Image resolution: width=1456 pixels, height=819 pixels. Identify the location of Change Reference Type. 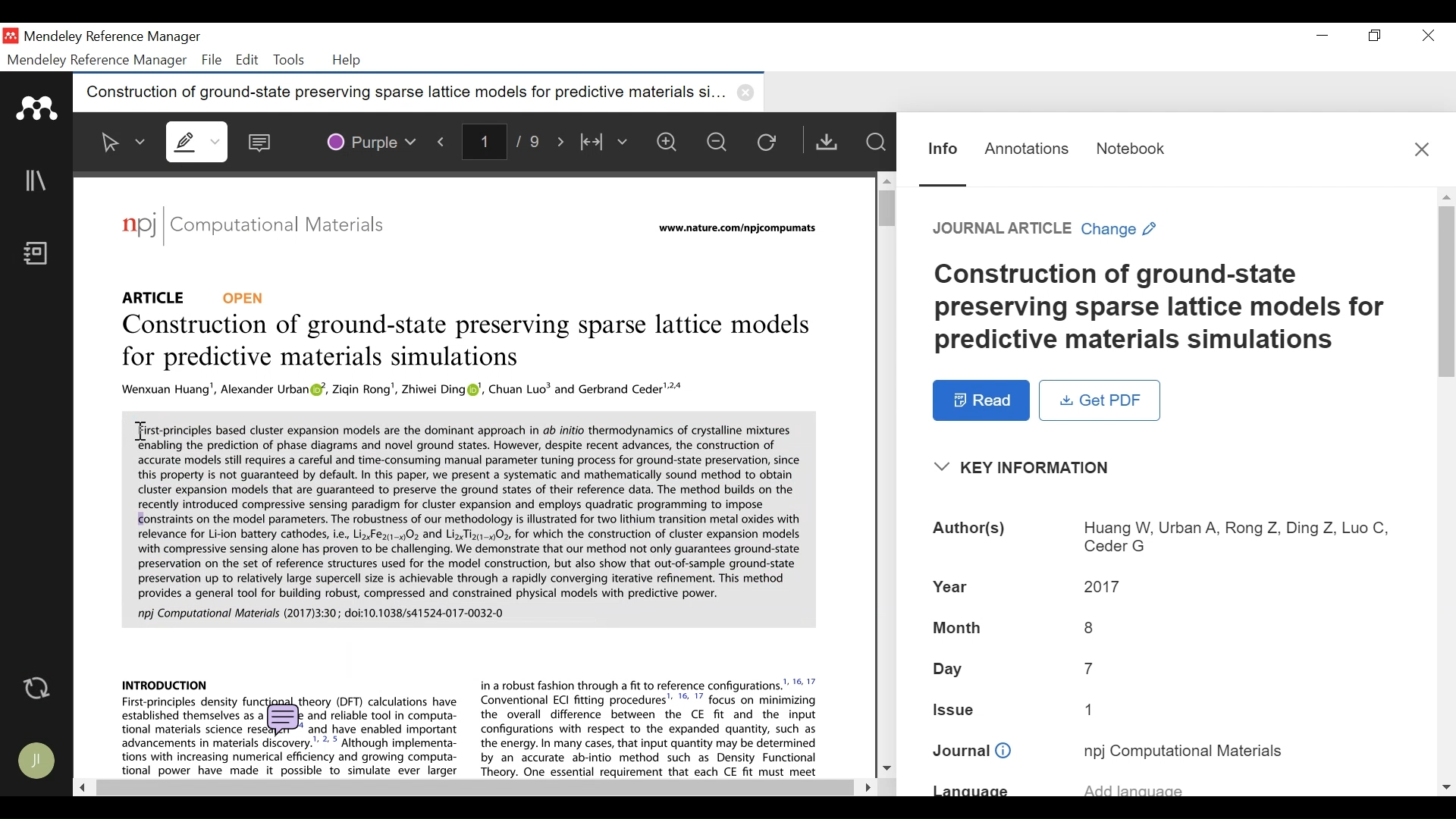
(1045, 228).